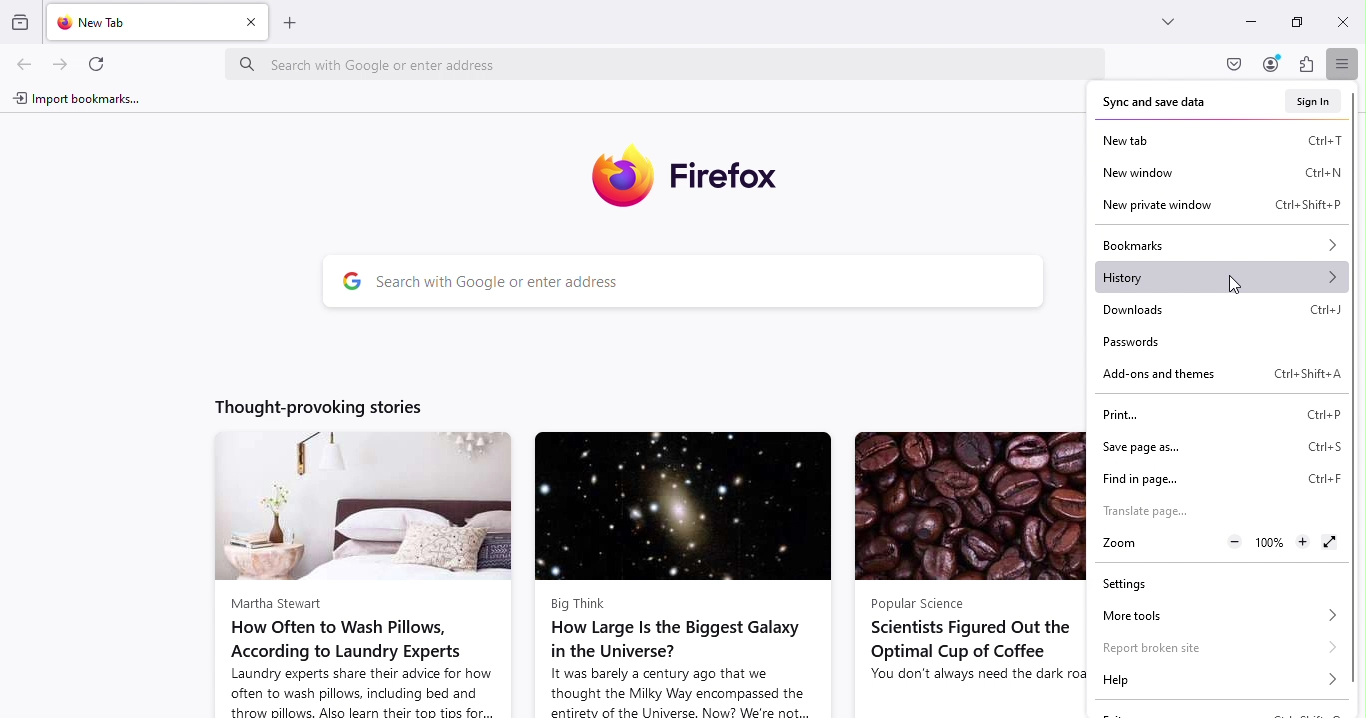  Describe the element at coordinates (1216, 680) in the screenshot. I see `help` at that location.